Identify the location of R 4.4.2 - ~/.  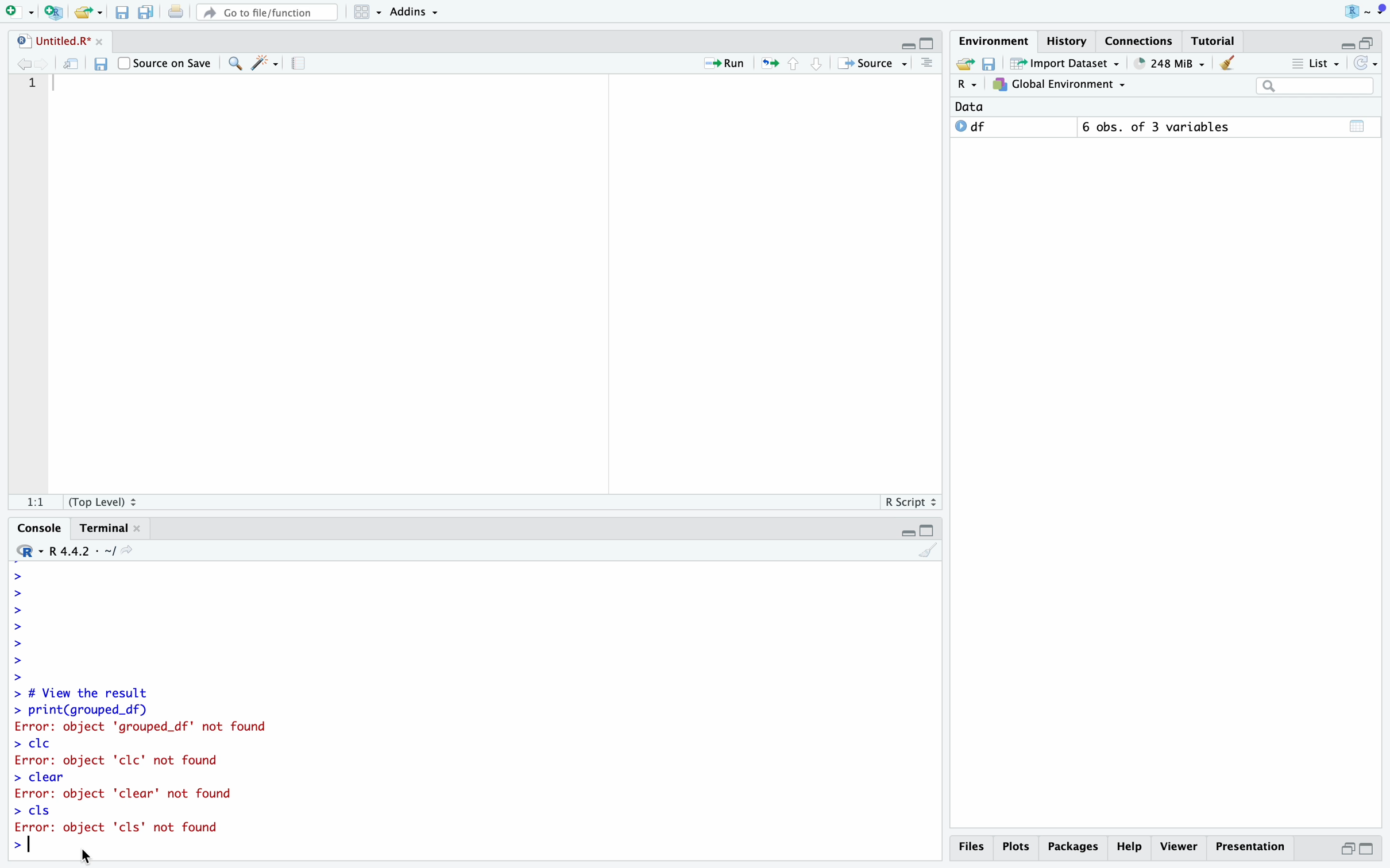
(75, 550).